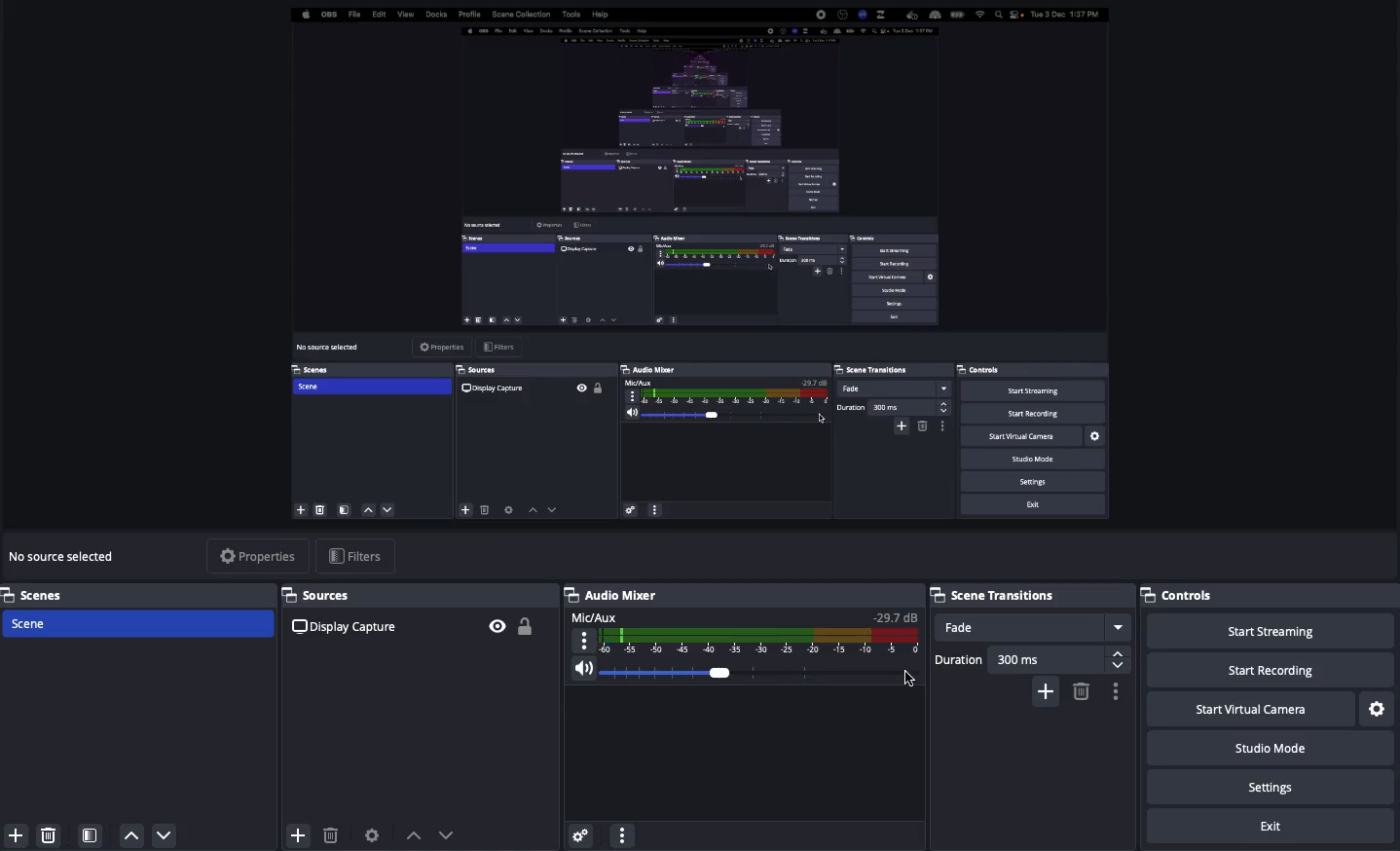  Describe the element at coordinates (1045, 692) in the screenshot. I see `Add` at that location.